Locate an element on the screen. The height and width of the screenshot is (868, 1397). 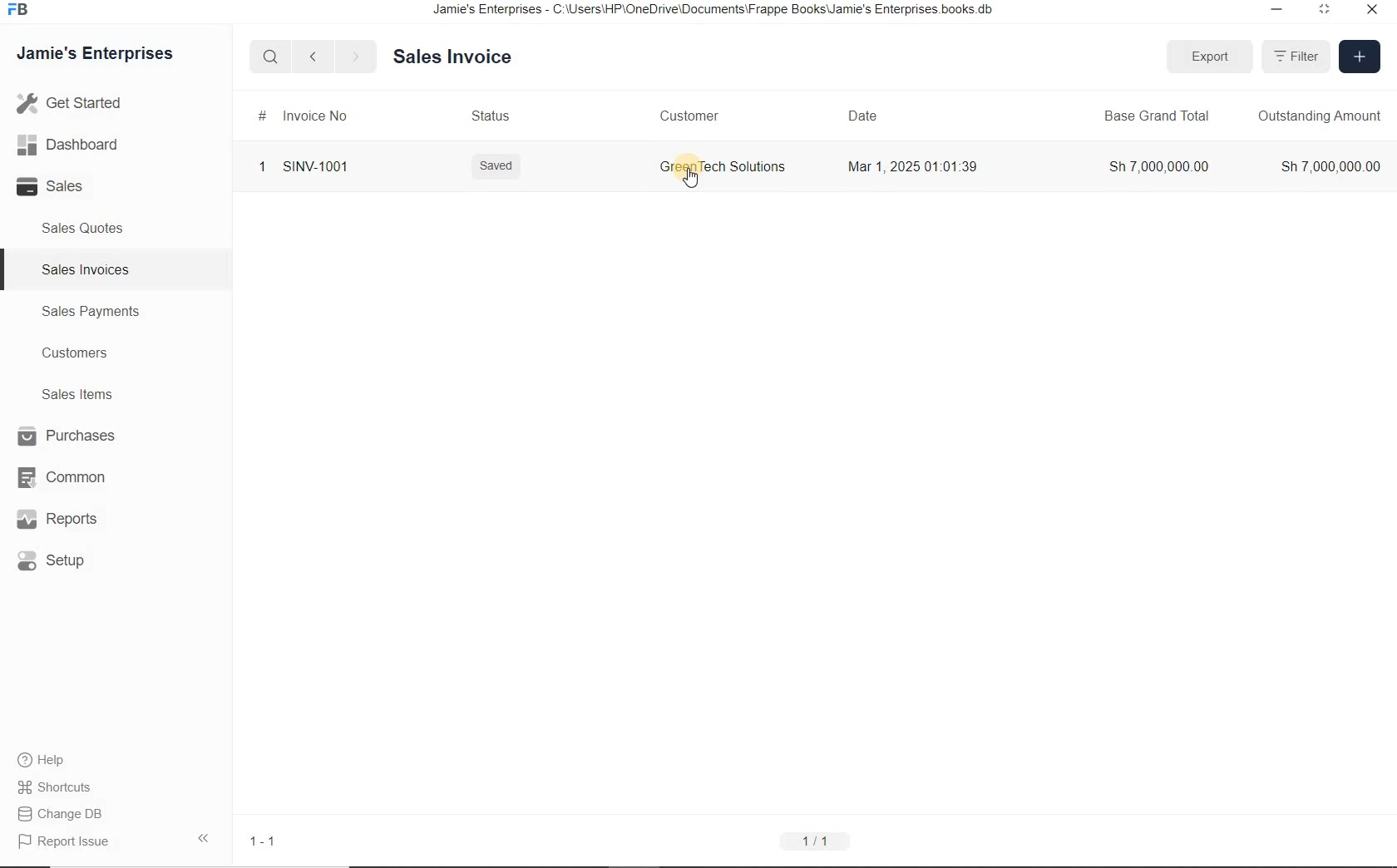
frappe books is located at coordinates (17, 11).